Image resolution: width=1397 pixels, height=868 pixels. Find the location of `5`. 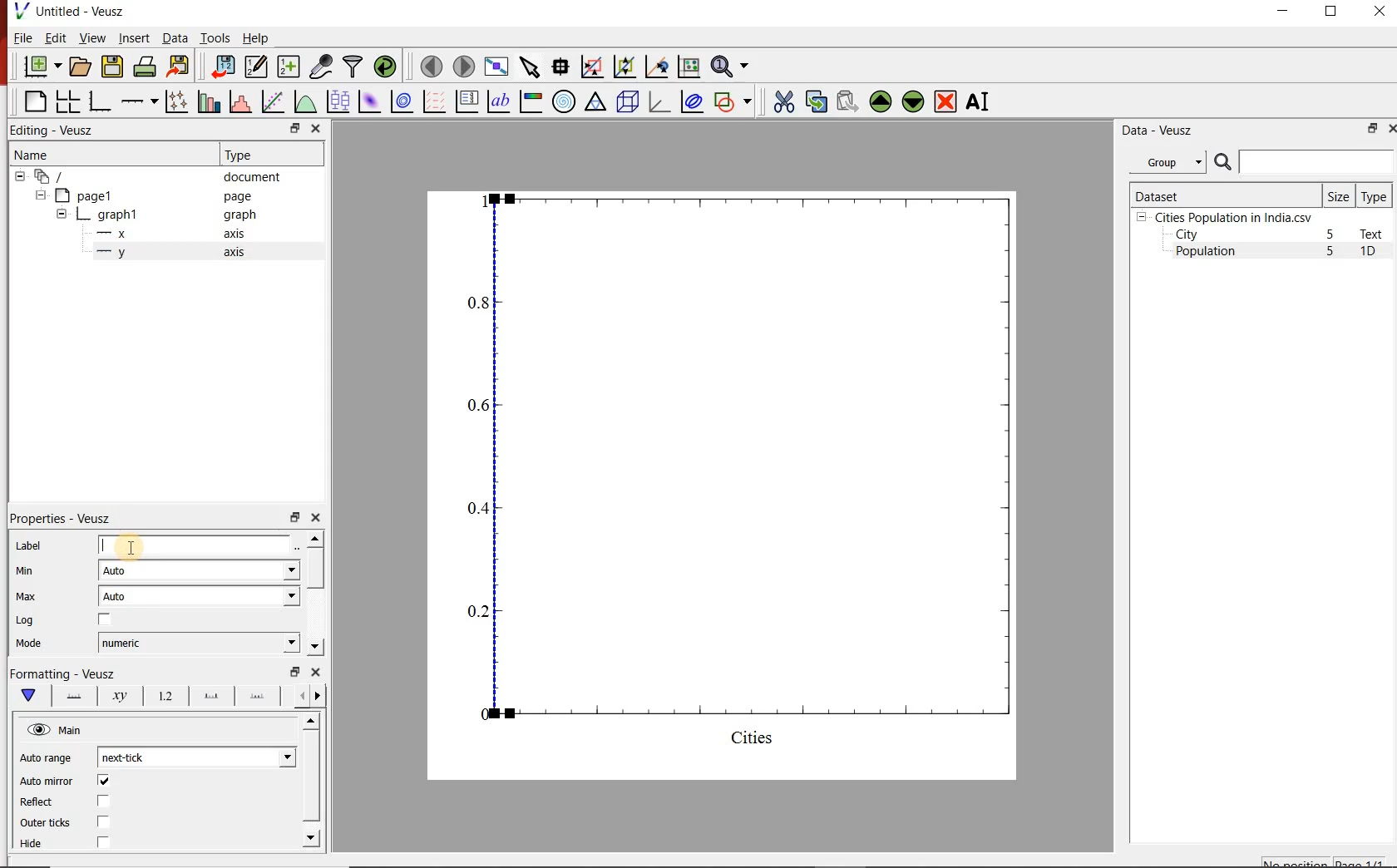

5 is located at coordinates (1331, 235).